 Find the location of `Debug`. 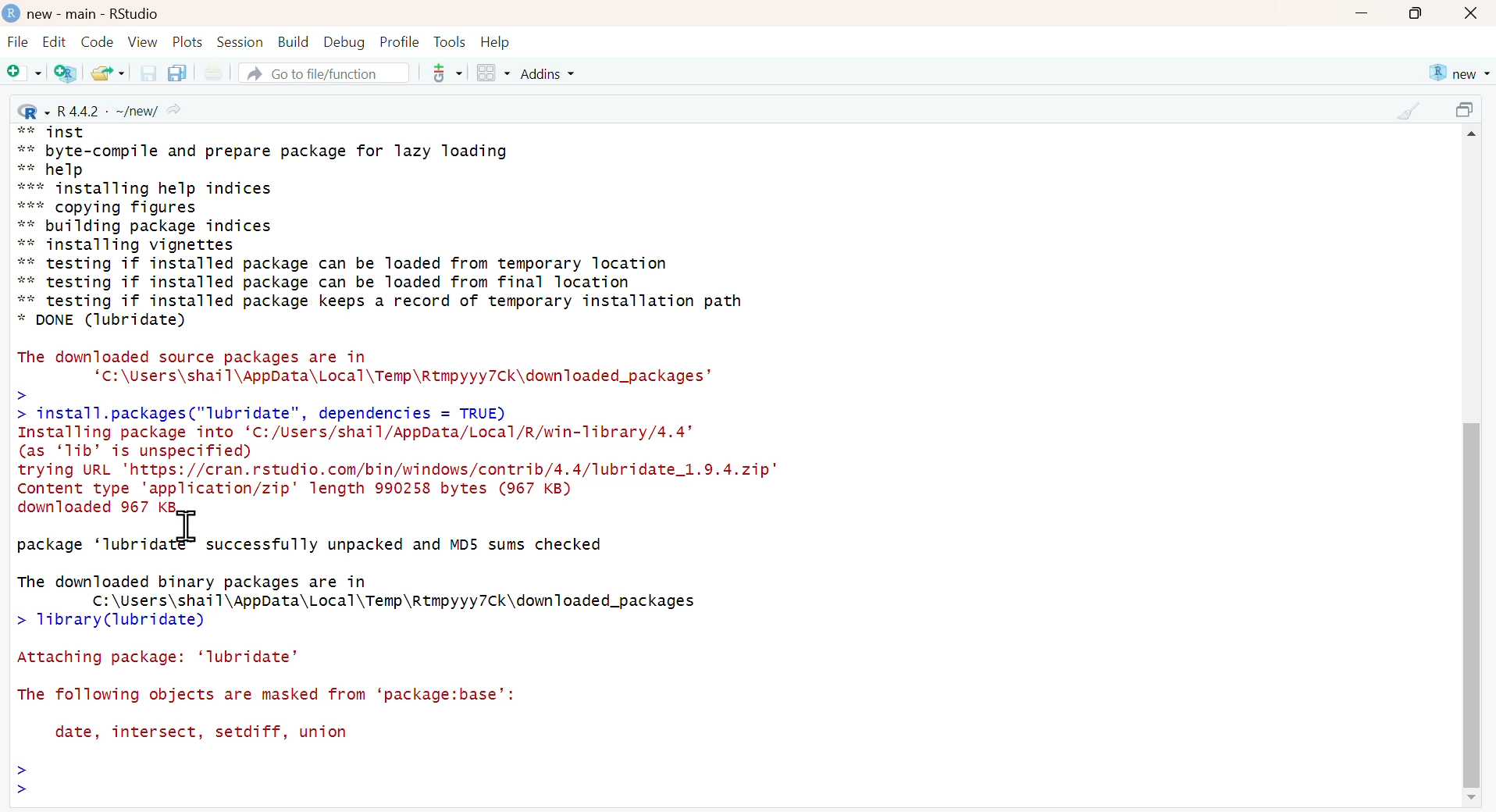

Debug is located at coordinates (343, 41).